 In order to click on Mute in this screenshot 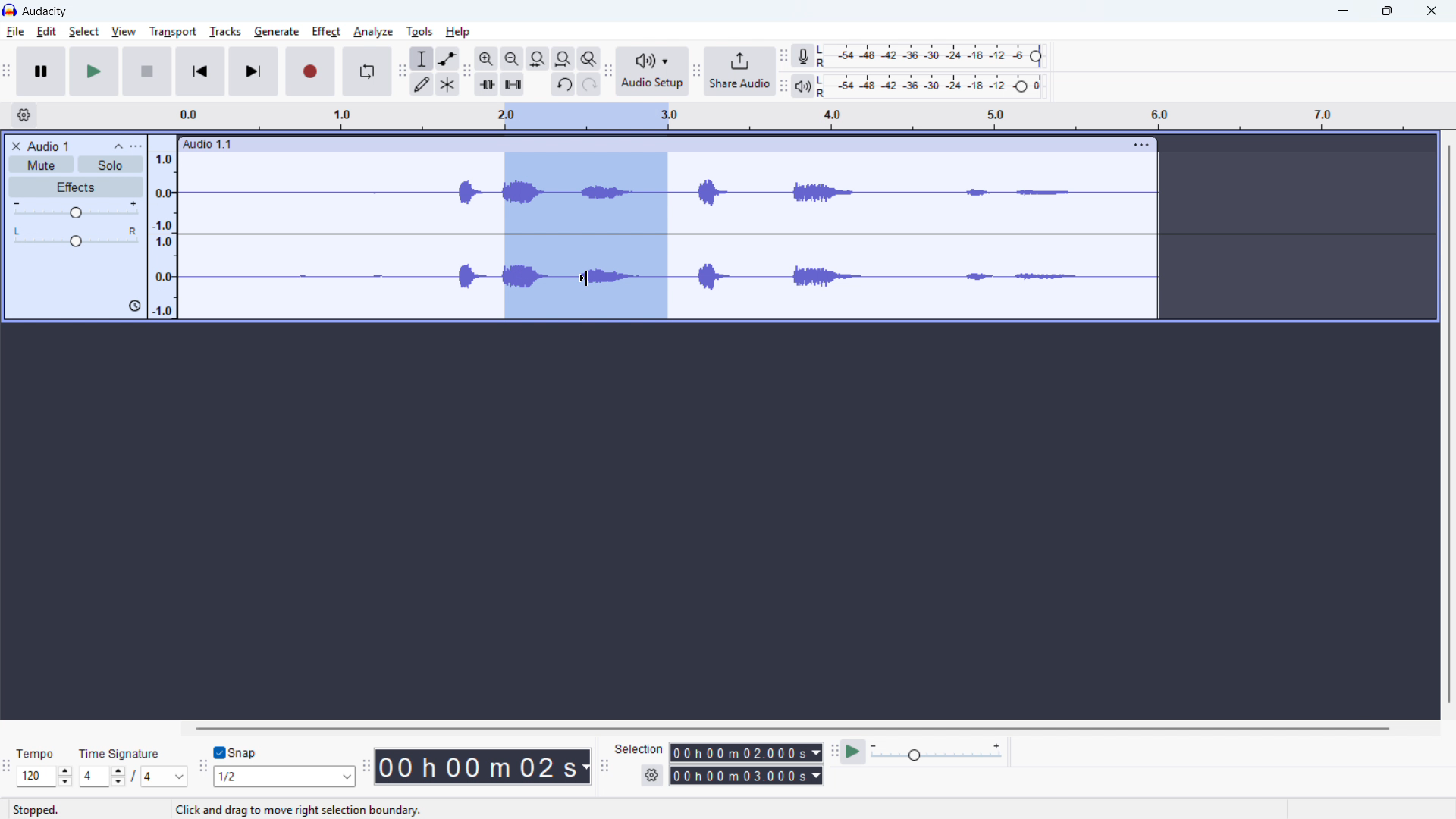, I will do `click(40, 164)`.